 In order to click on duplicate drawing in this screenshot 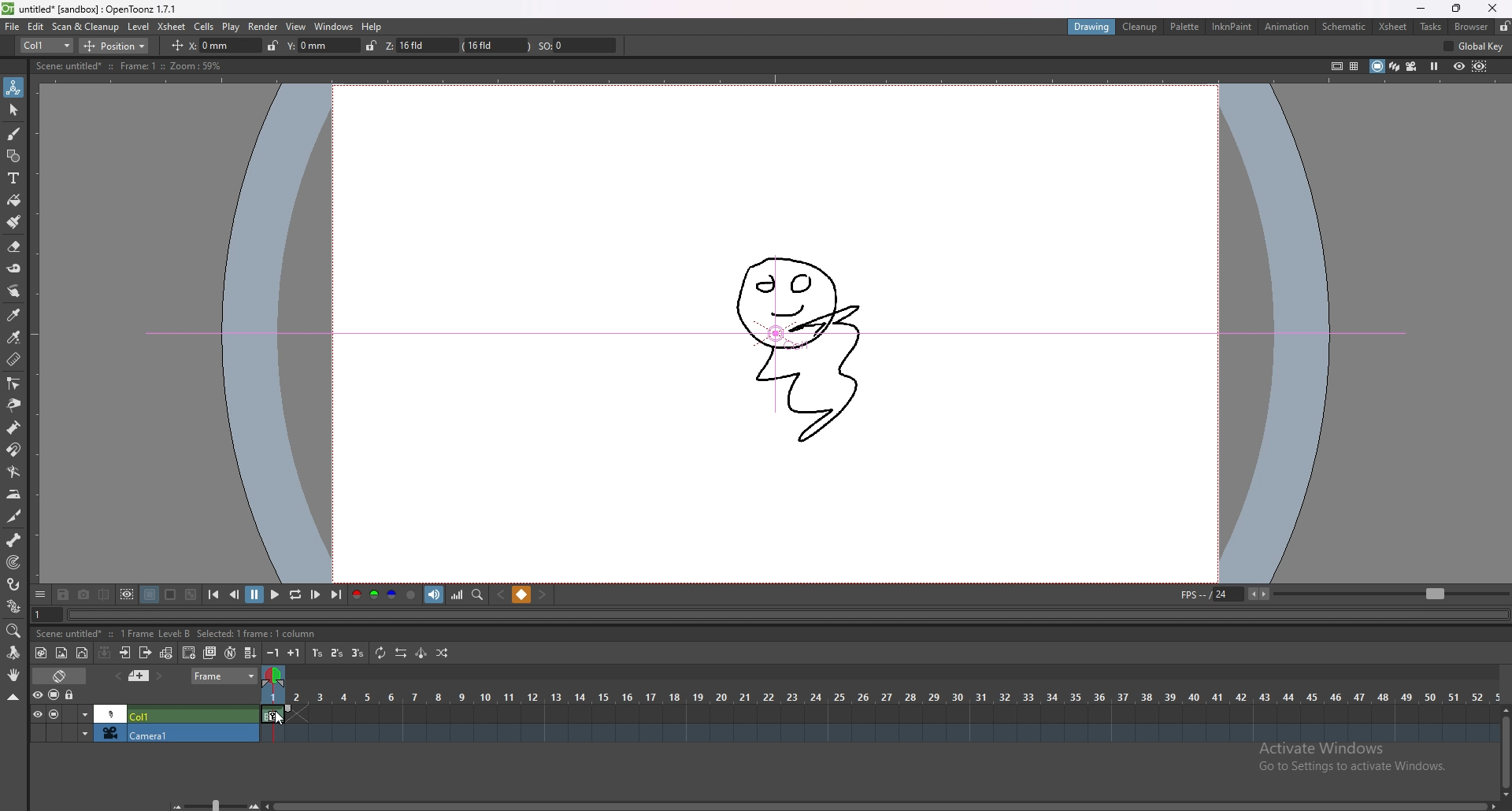, I will do `click(211, 652)`.